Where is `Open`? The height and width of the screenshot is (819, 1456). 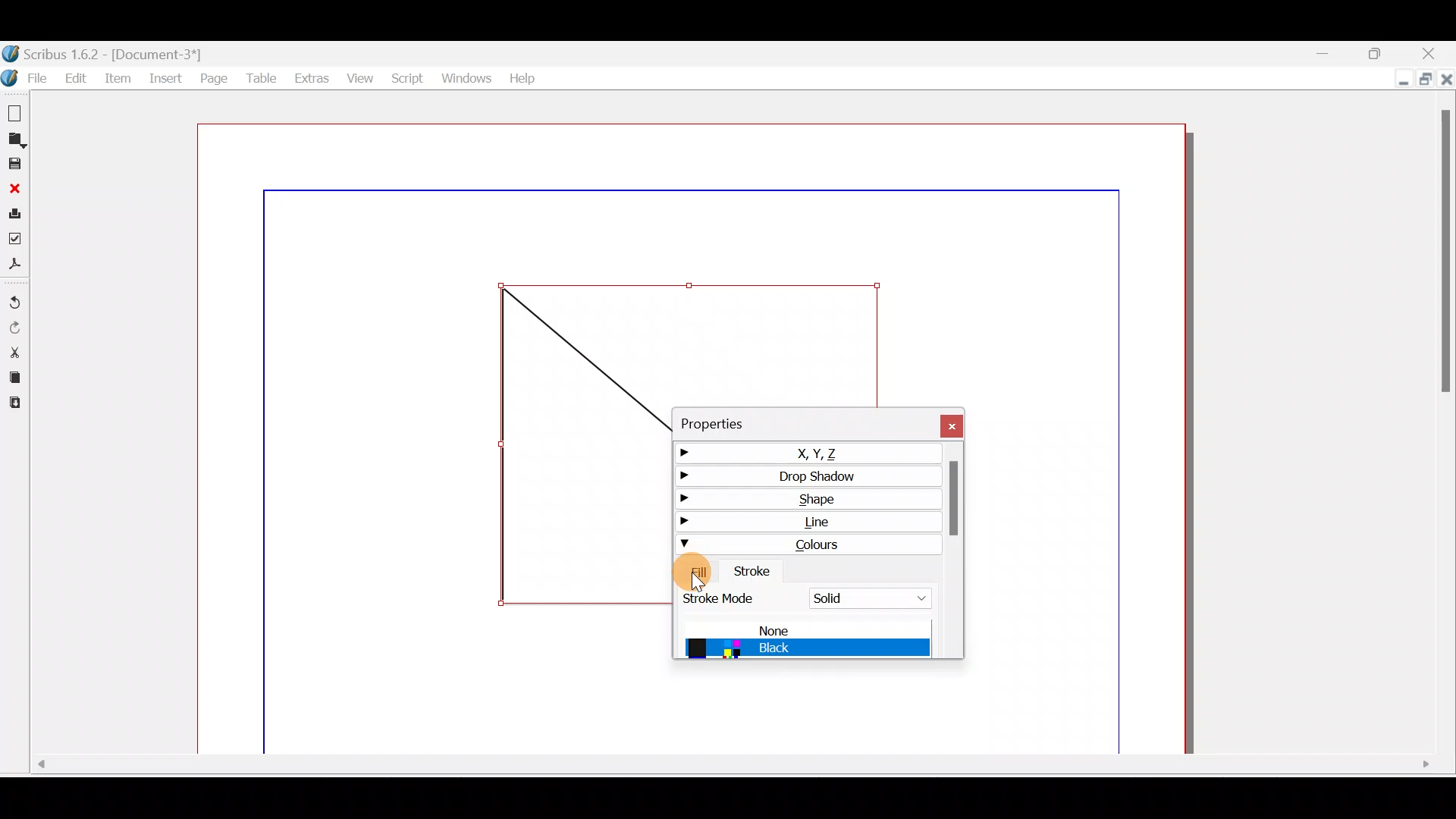
Open is located at coordinates (17, 139).